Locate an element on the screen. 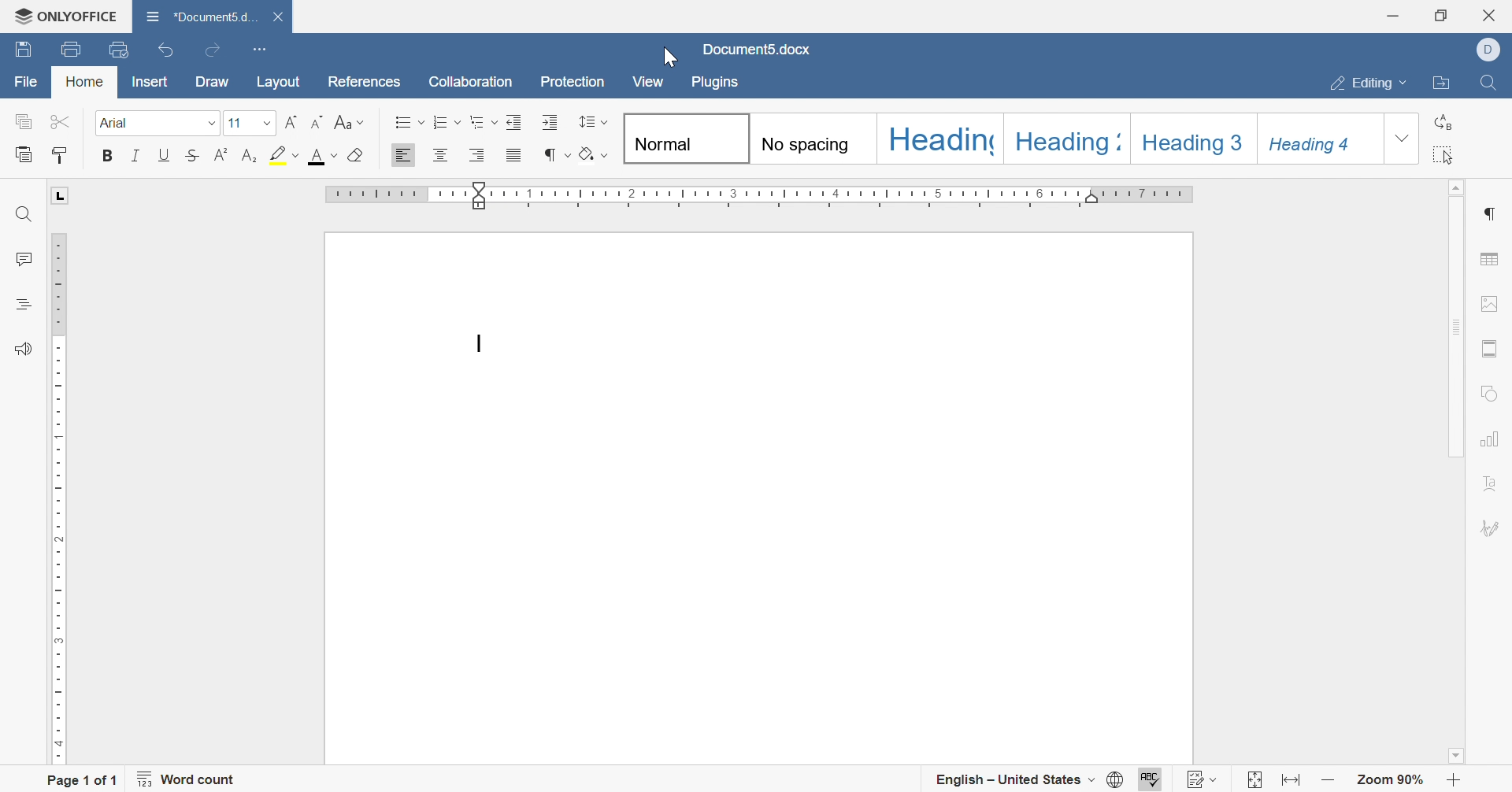  paragraph settings is located at coordinates (1492, 211).